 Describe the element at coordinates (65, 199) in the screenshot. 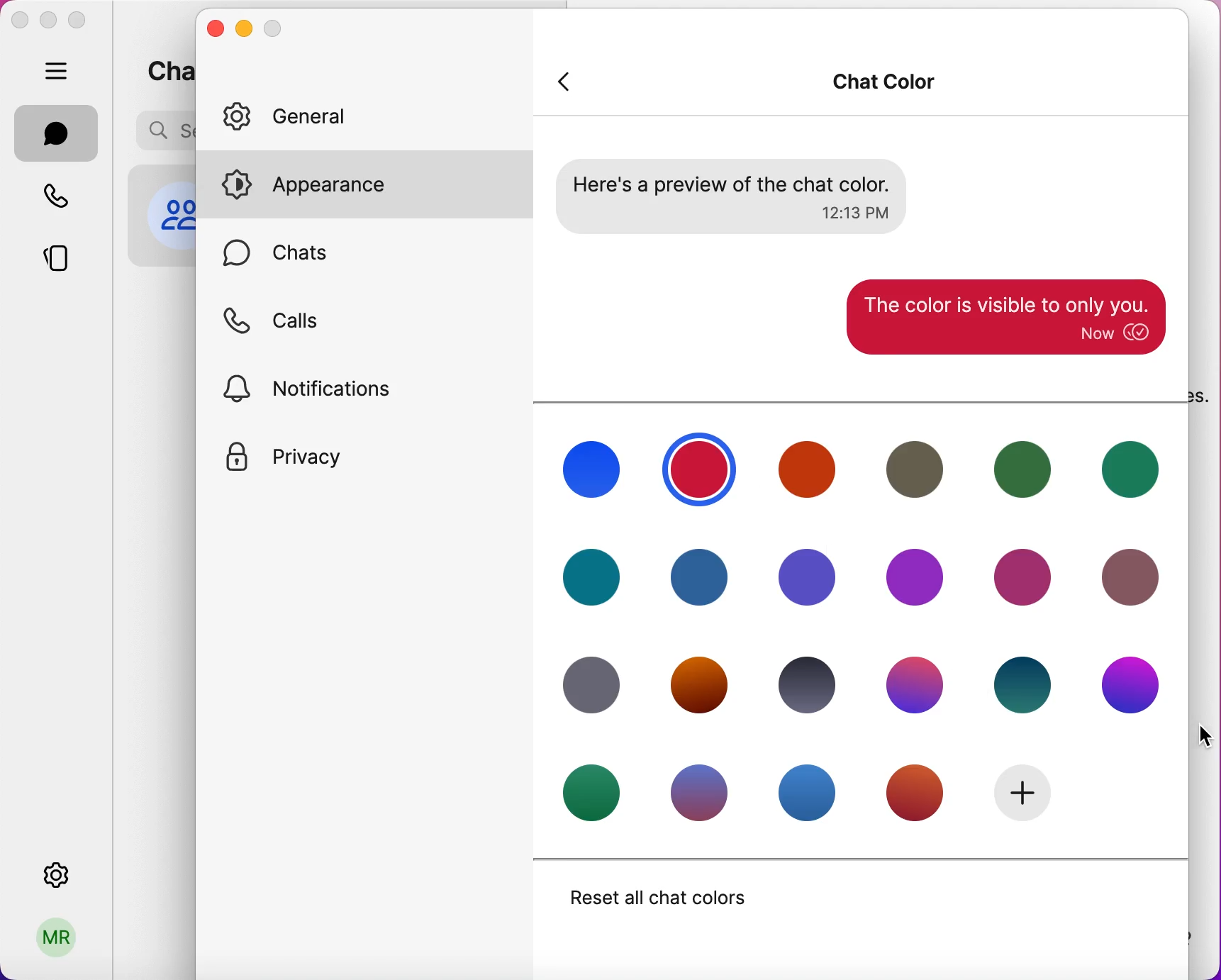

I see `calls` at that location.